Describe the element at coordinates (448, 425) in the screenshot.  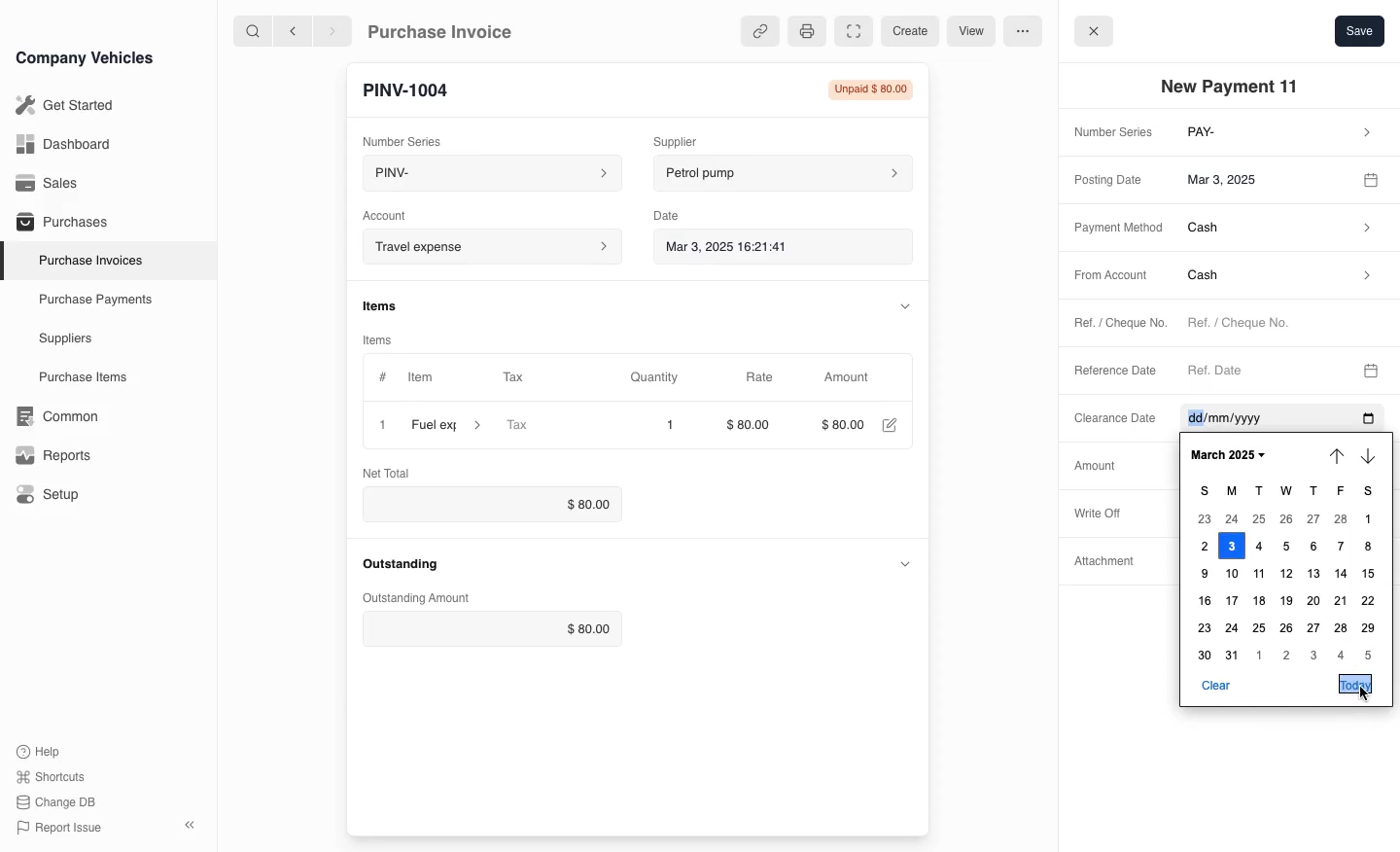
I see `item  ` at that location.